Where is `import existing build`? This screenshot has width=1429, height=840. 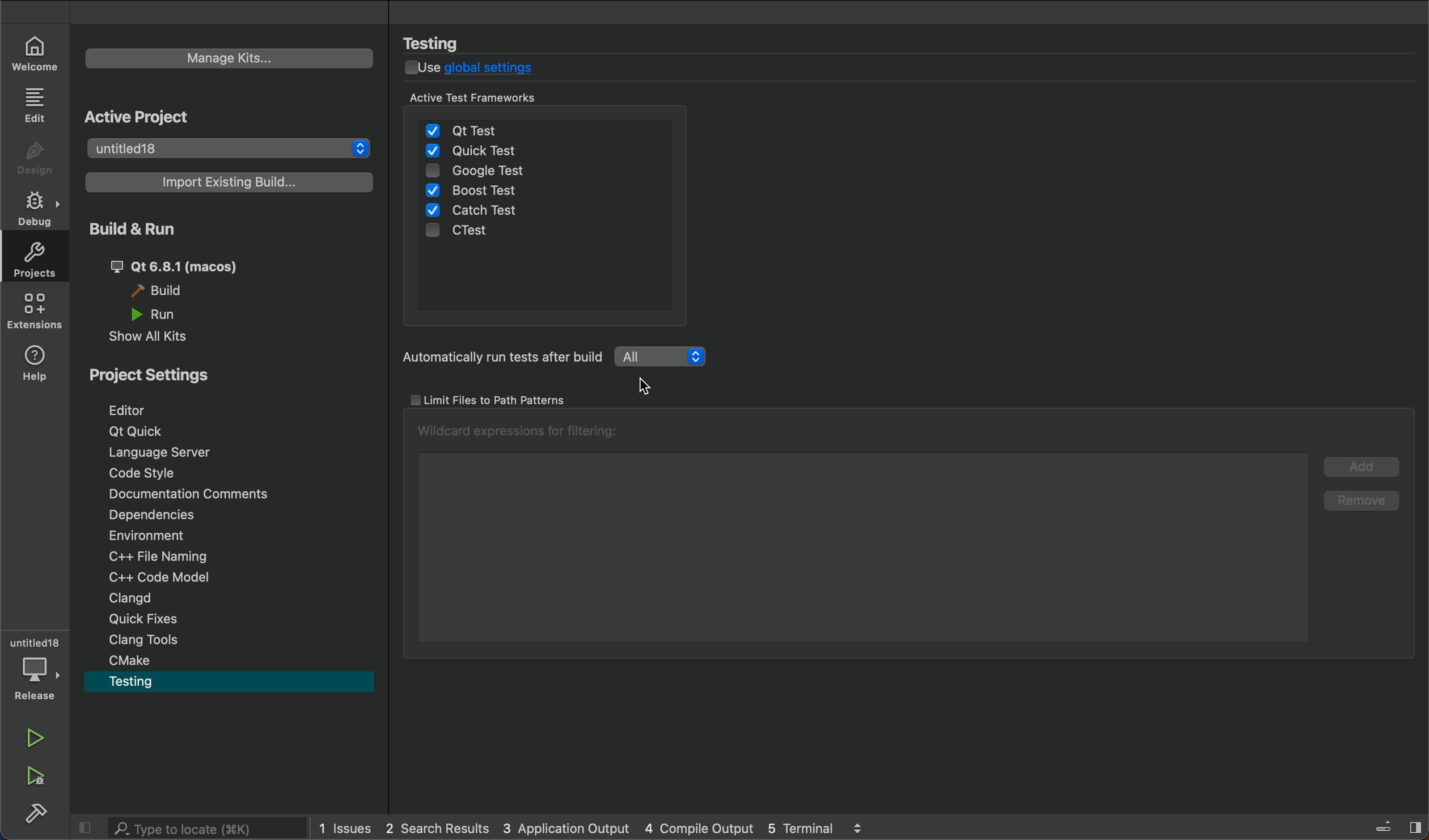
import existing build is located at coordinates (223, 181).